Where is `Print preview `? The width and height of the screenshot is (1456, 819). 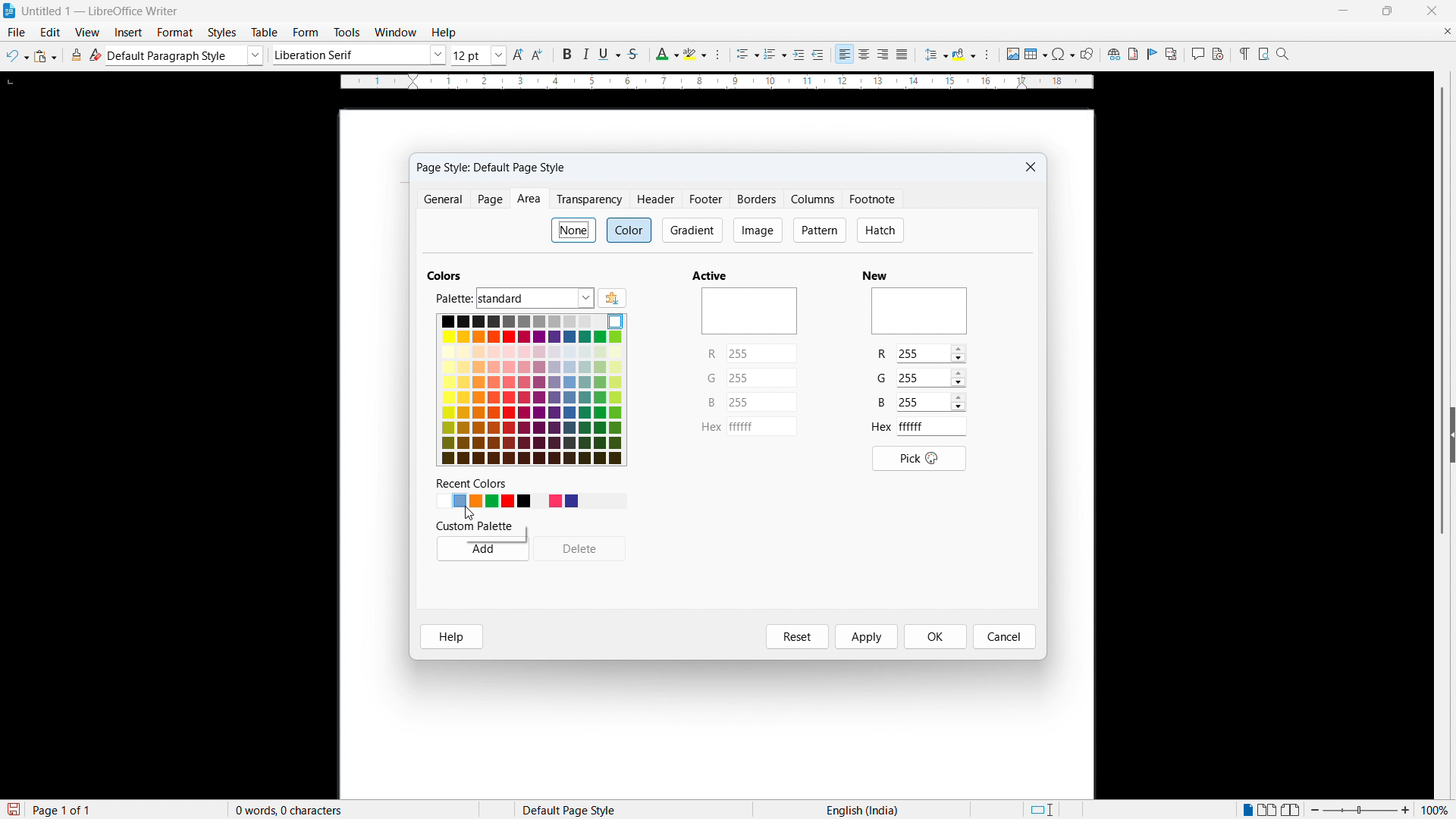
Print preview  is located at coordinates (1263, 52).